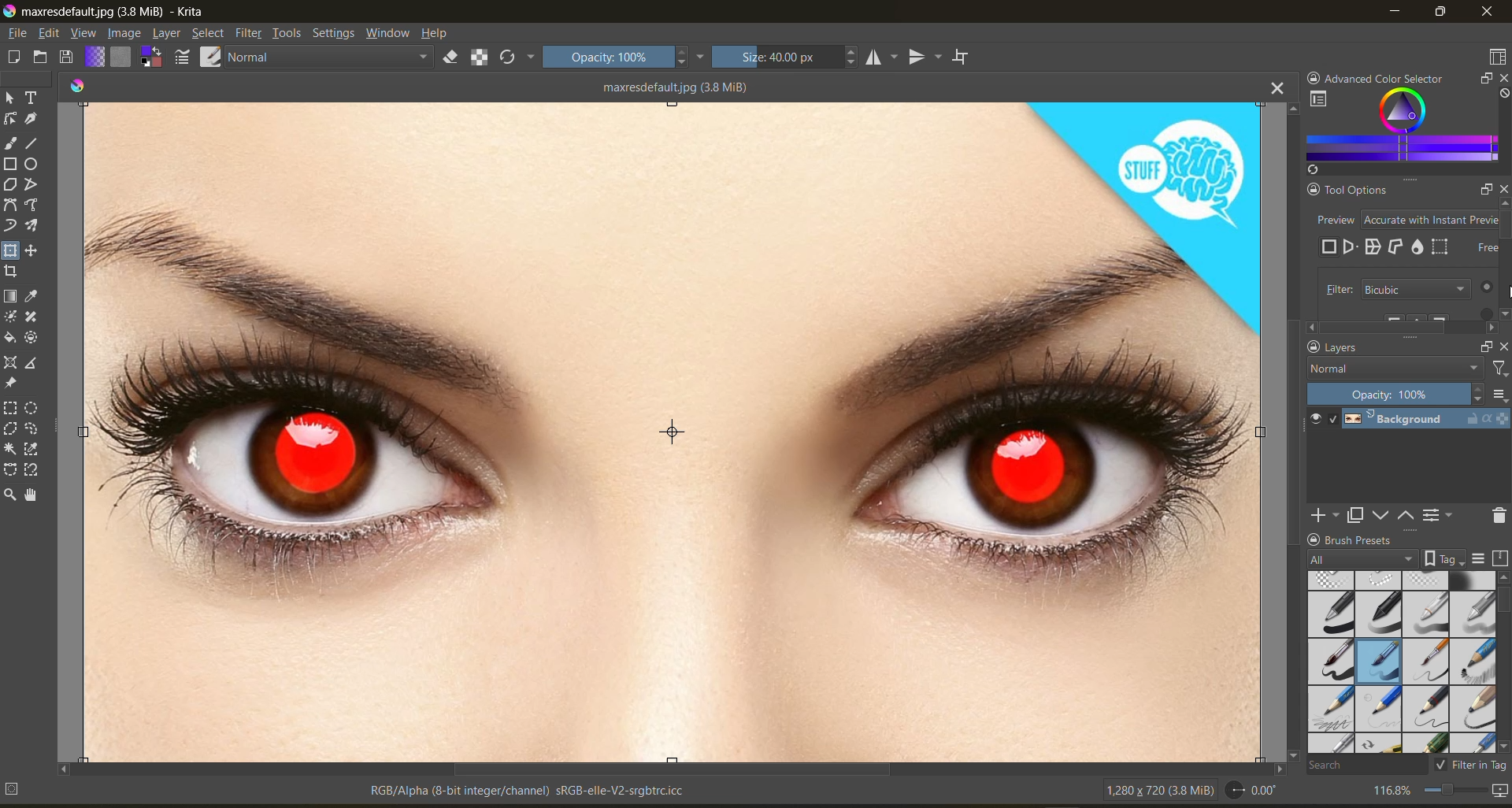 The image size is (1512, 808). I want to click on tool, so click(10, 447).